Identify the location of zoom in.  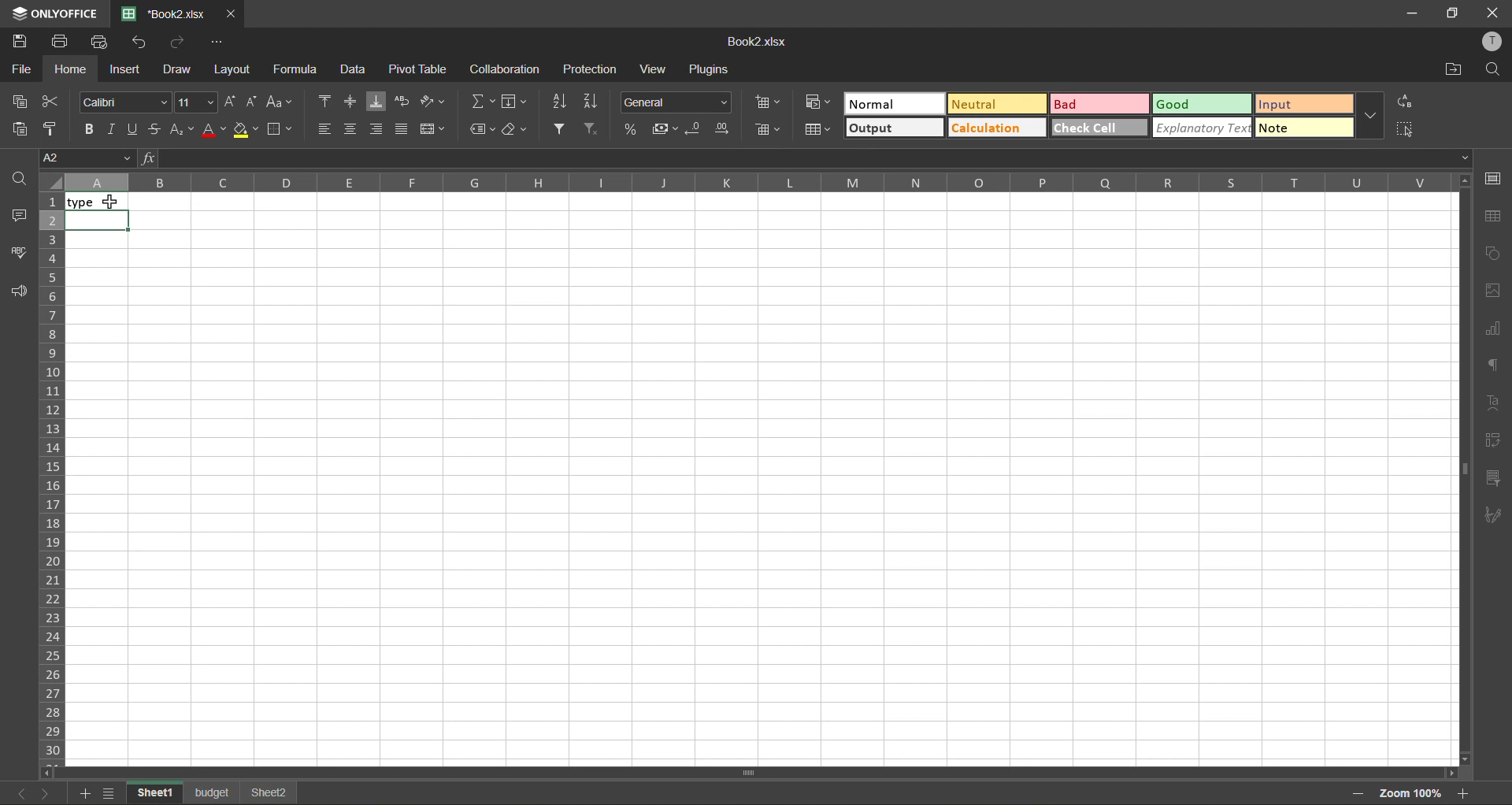
(1466, 792).